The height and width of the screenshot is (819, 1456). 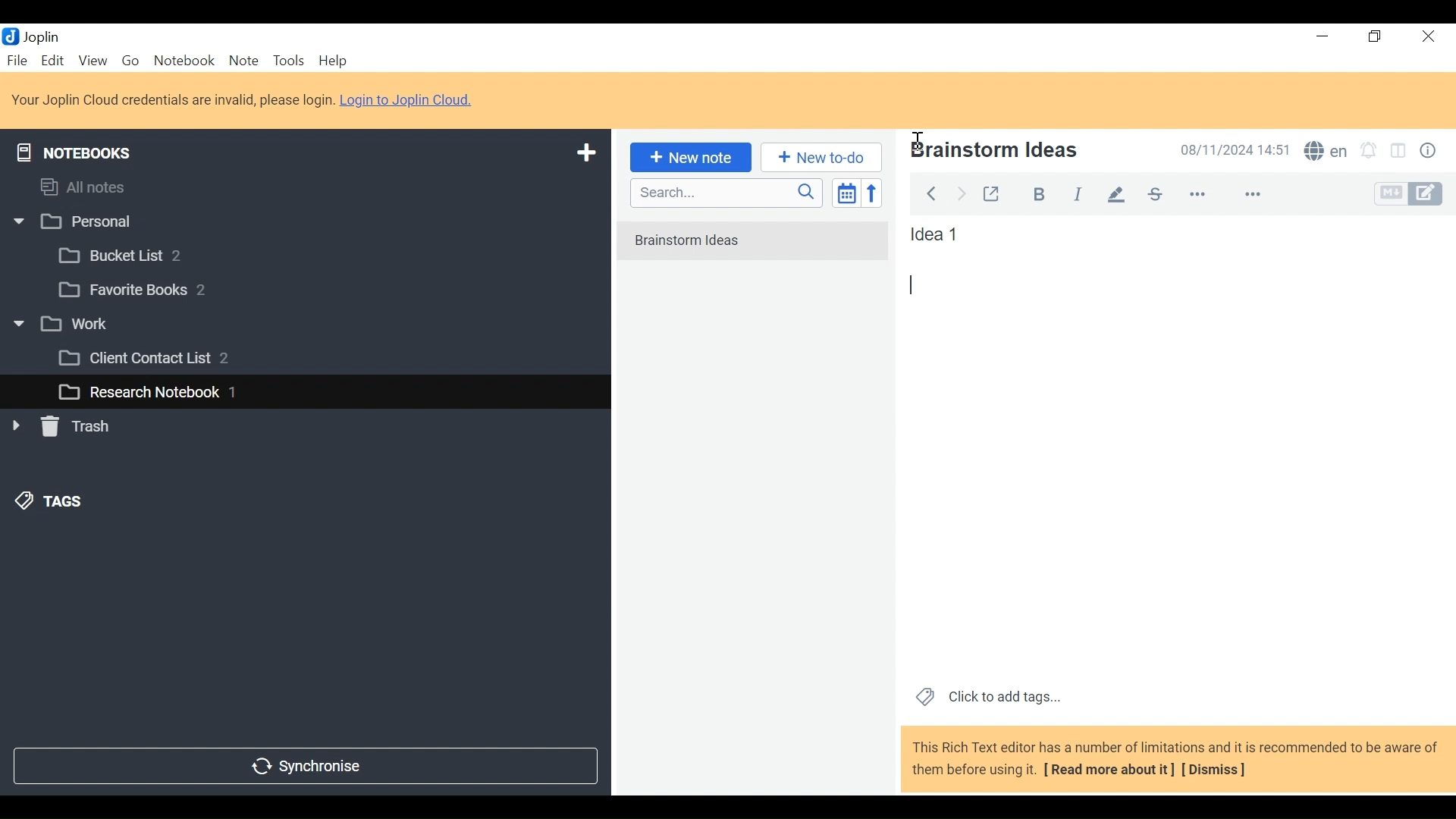 What do you see at coordinates (304, 764) in the screenshot?
I see `Synchronize` at bounding box center [304, 764].